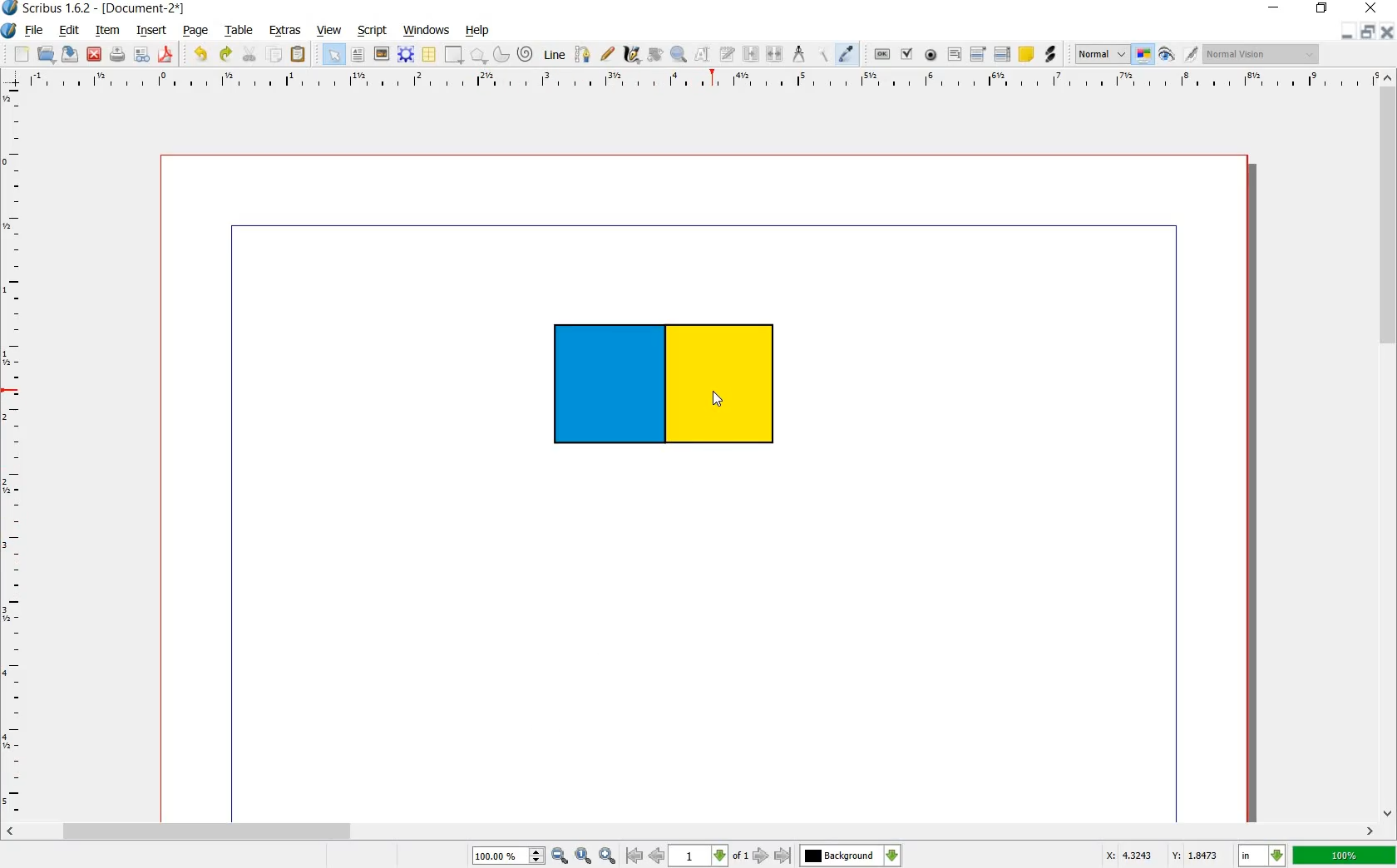  I want to click on pdf radio button, so click(932, 55).